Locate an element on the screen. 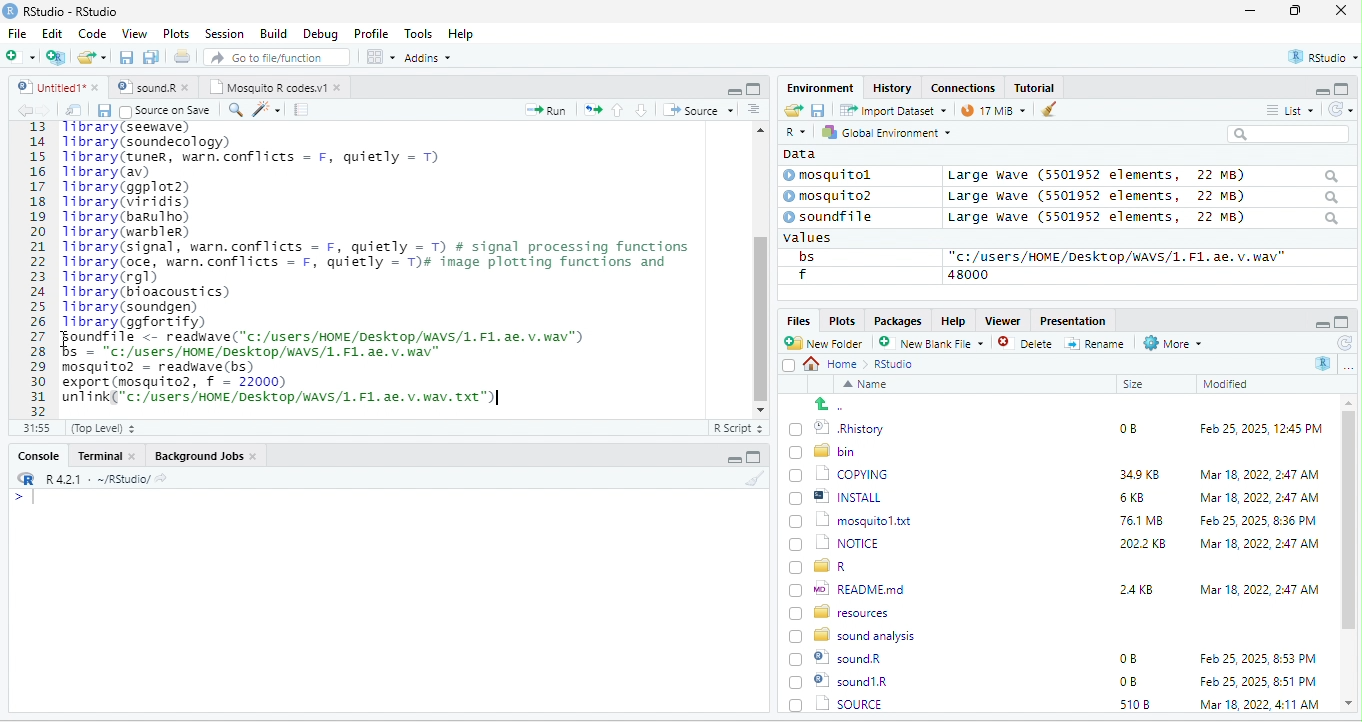 The image size is (1362, 722).  Name is located at coordinates (869, 386).